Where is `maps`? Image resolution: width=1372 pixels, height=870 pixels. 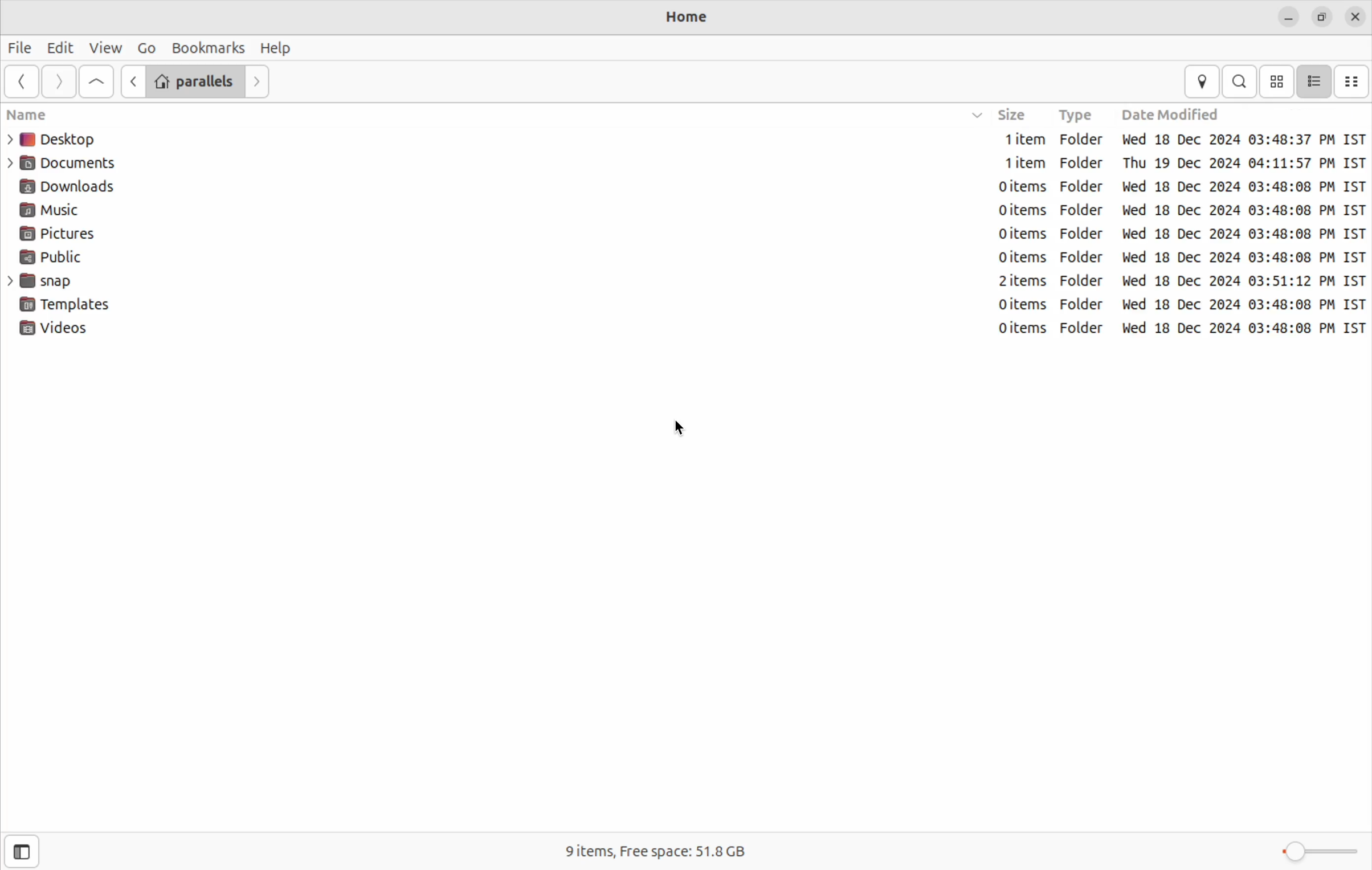 maps is located at coordinates (1203, 81).